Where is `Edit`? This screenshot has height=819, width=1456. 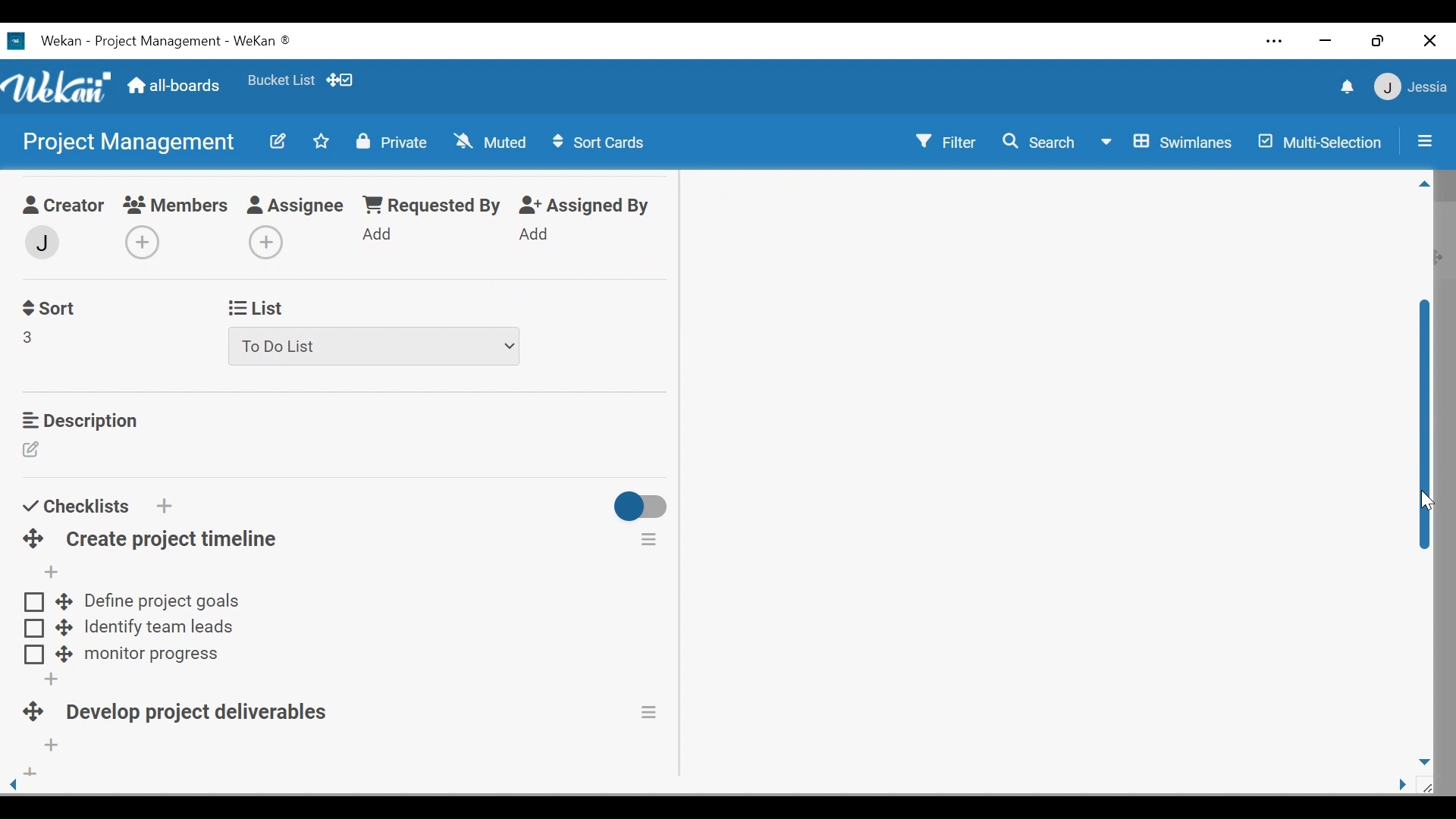 Edit is located at coordinates (280, 143).